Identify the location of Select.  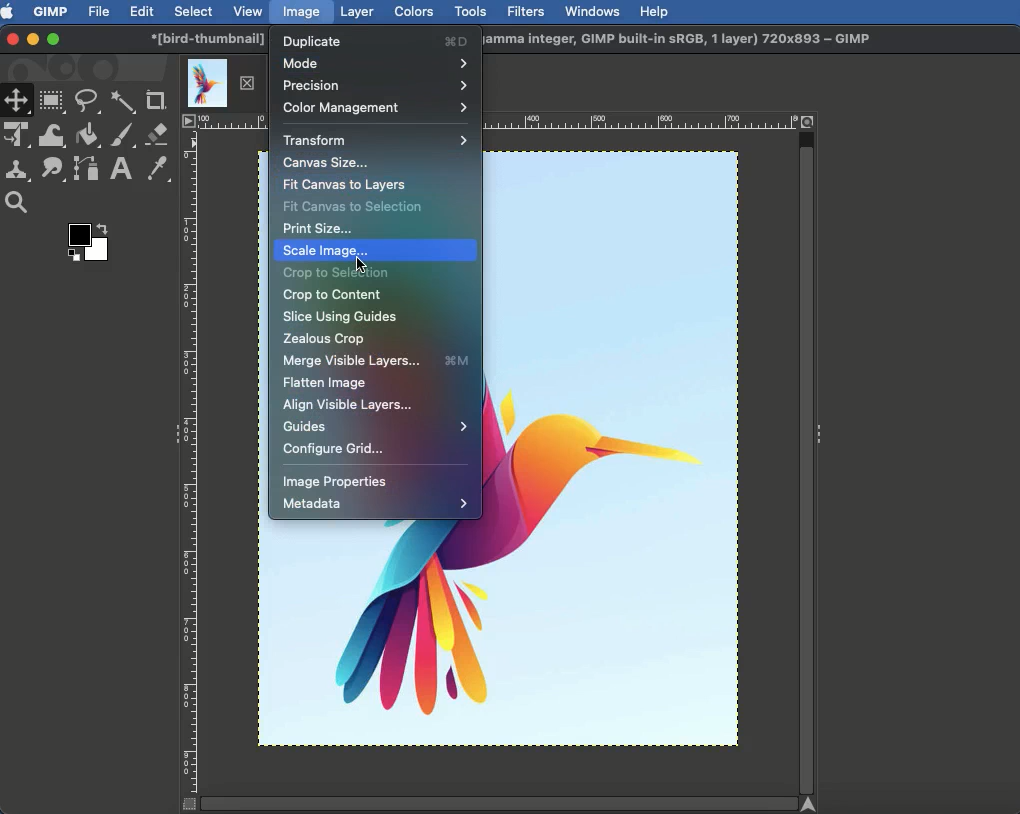
(192, 11).